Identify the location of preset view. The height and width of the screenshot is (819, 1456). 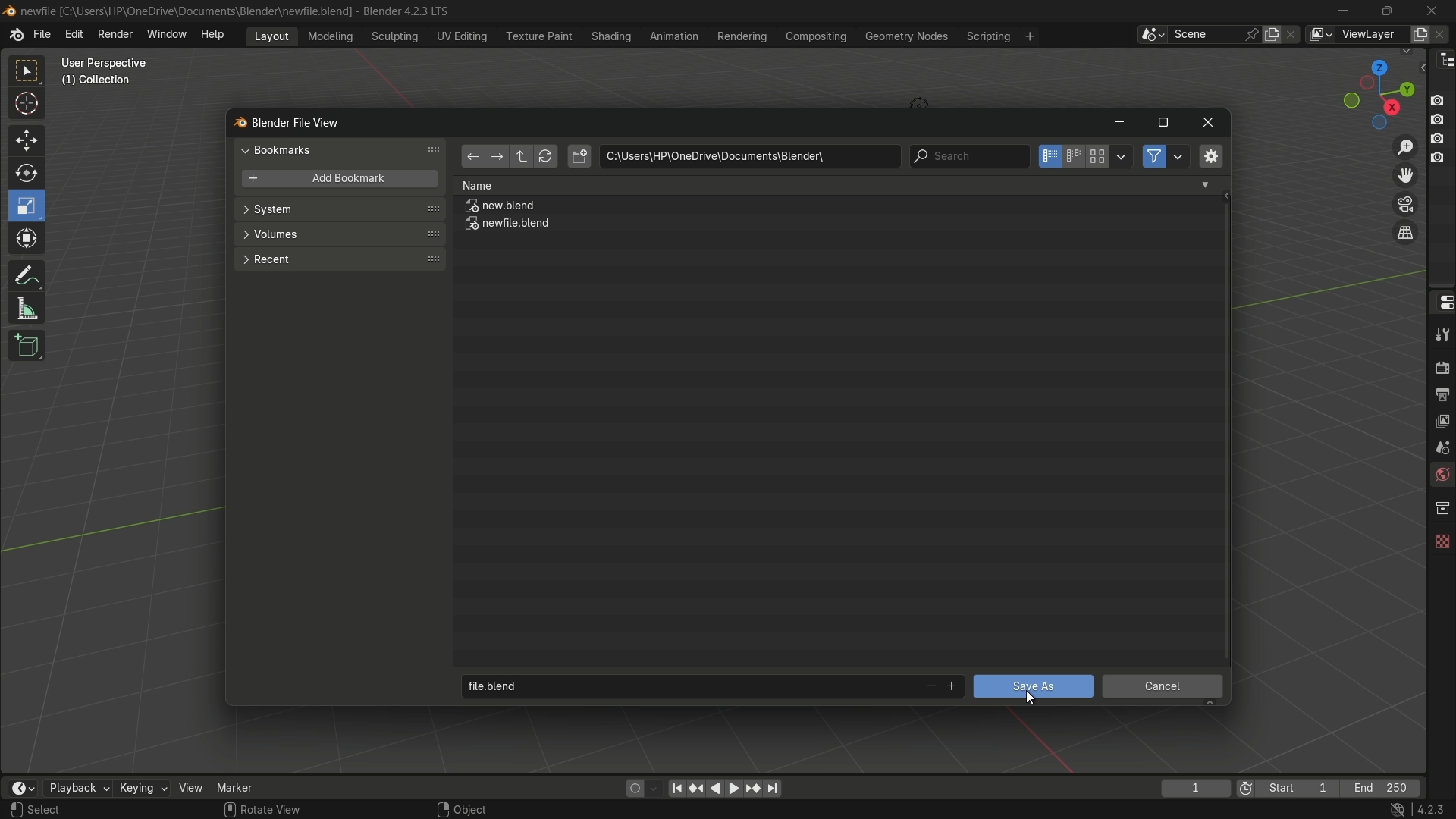
(1374, 91).